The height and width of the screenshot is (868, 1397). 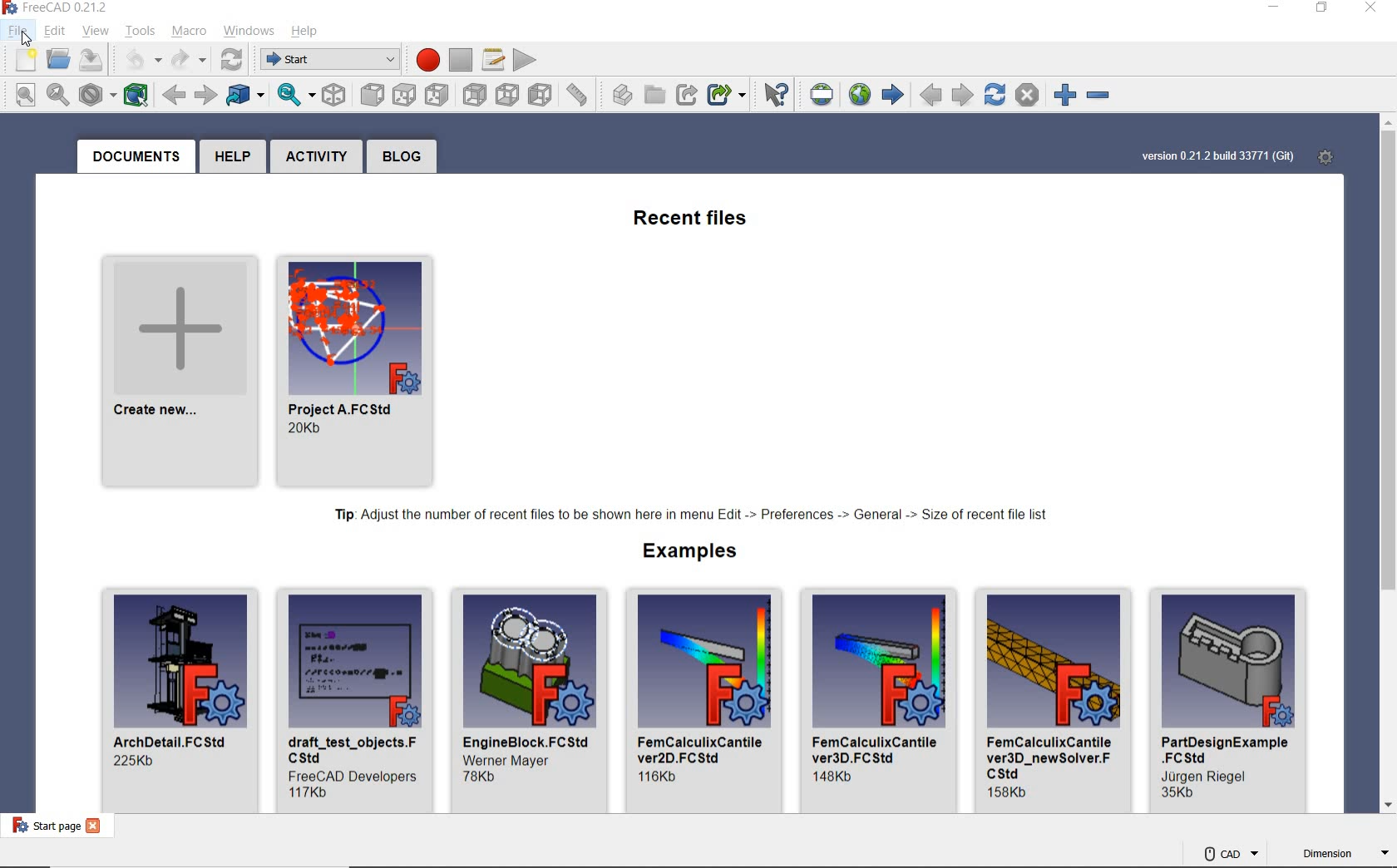 What do you see at coordinates (354, 325) in the screenshot?
I see `image` at bounding box center [354, 325].